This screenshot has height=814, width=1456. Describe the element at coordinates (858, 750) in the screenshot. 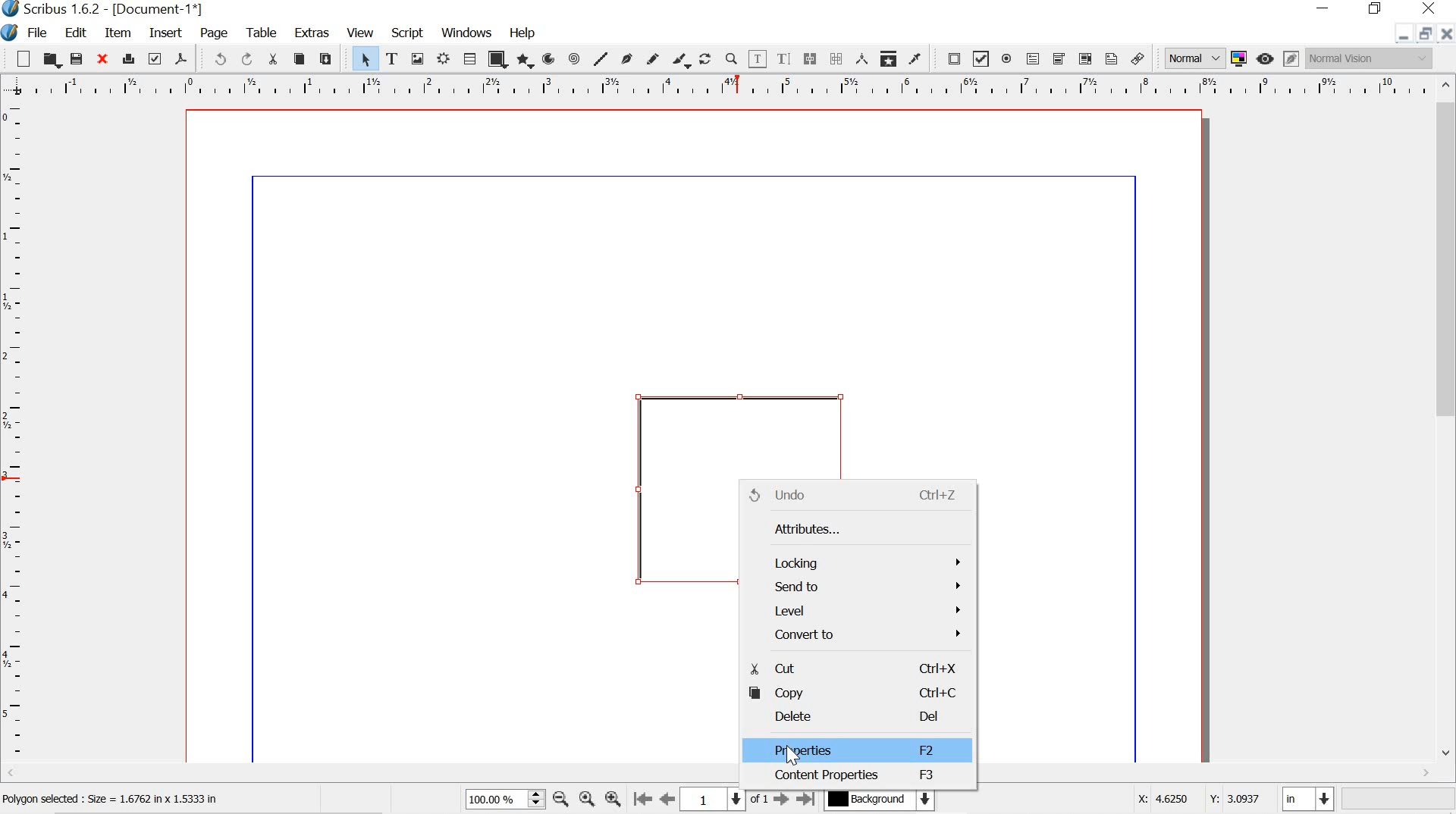

I see `properties` at that location.